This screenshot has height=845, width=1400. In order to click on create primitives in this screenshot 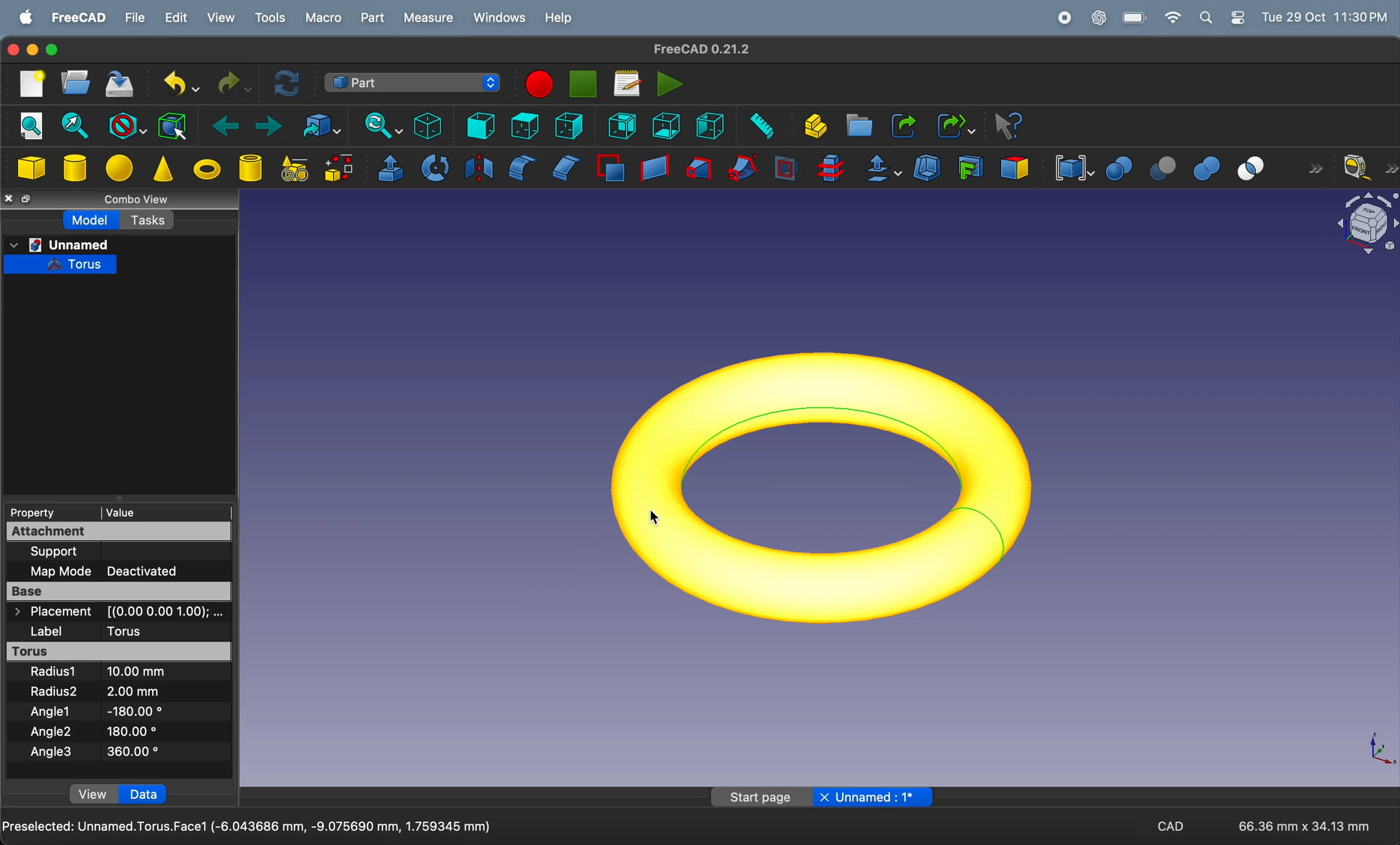, I will do `click(295, 169)`.